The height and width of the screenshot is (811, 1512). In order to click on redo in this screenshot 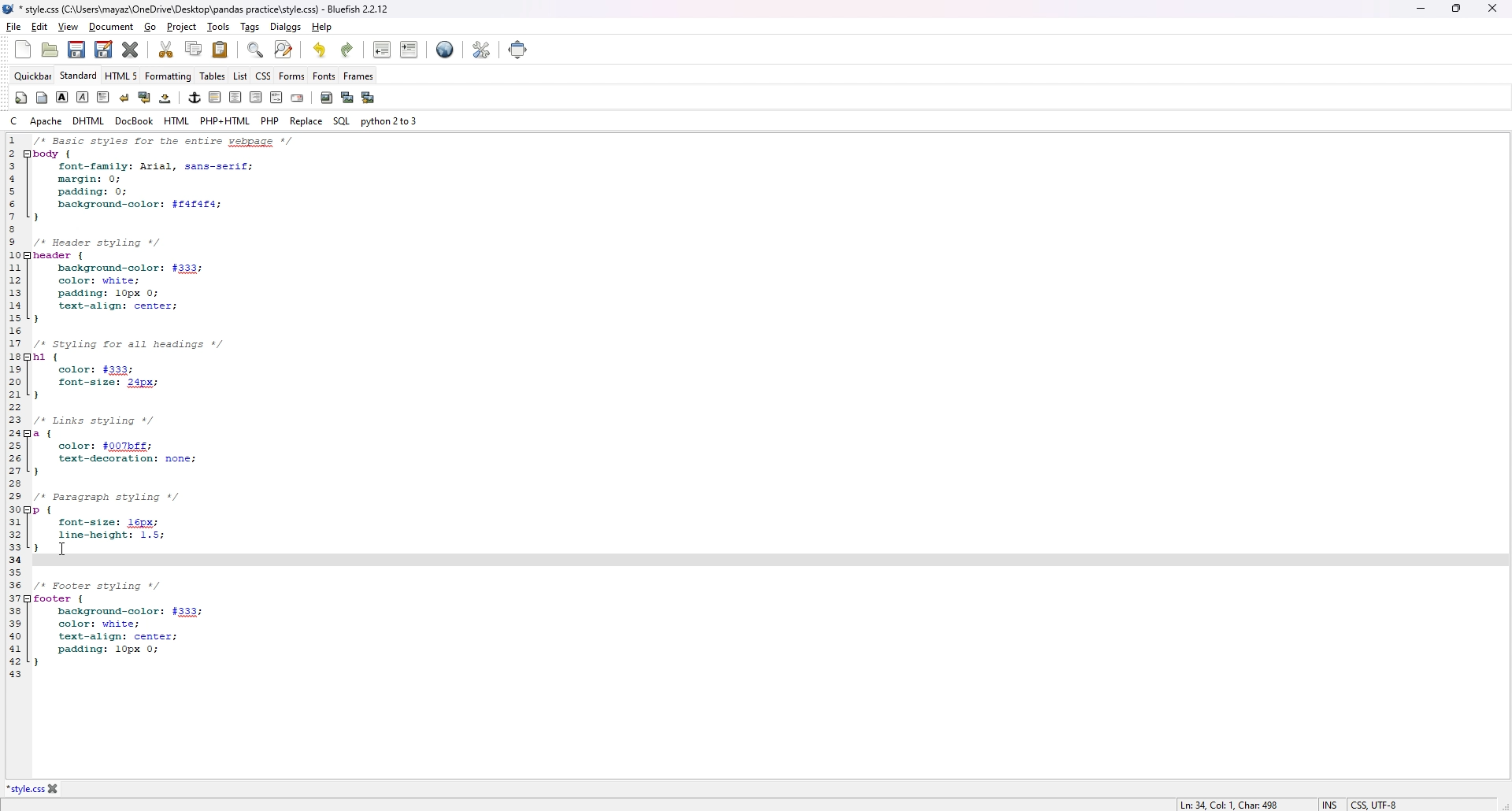, I will do `click(349, 50)`.